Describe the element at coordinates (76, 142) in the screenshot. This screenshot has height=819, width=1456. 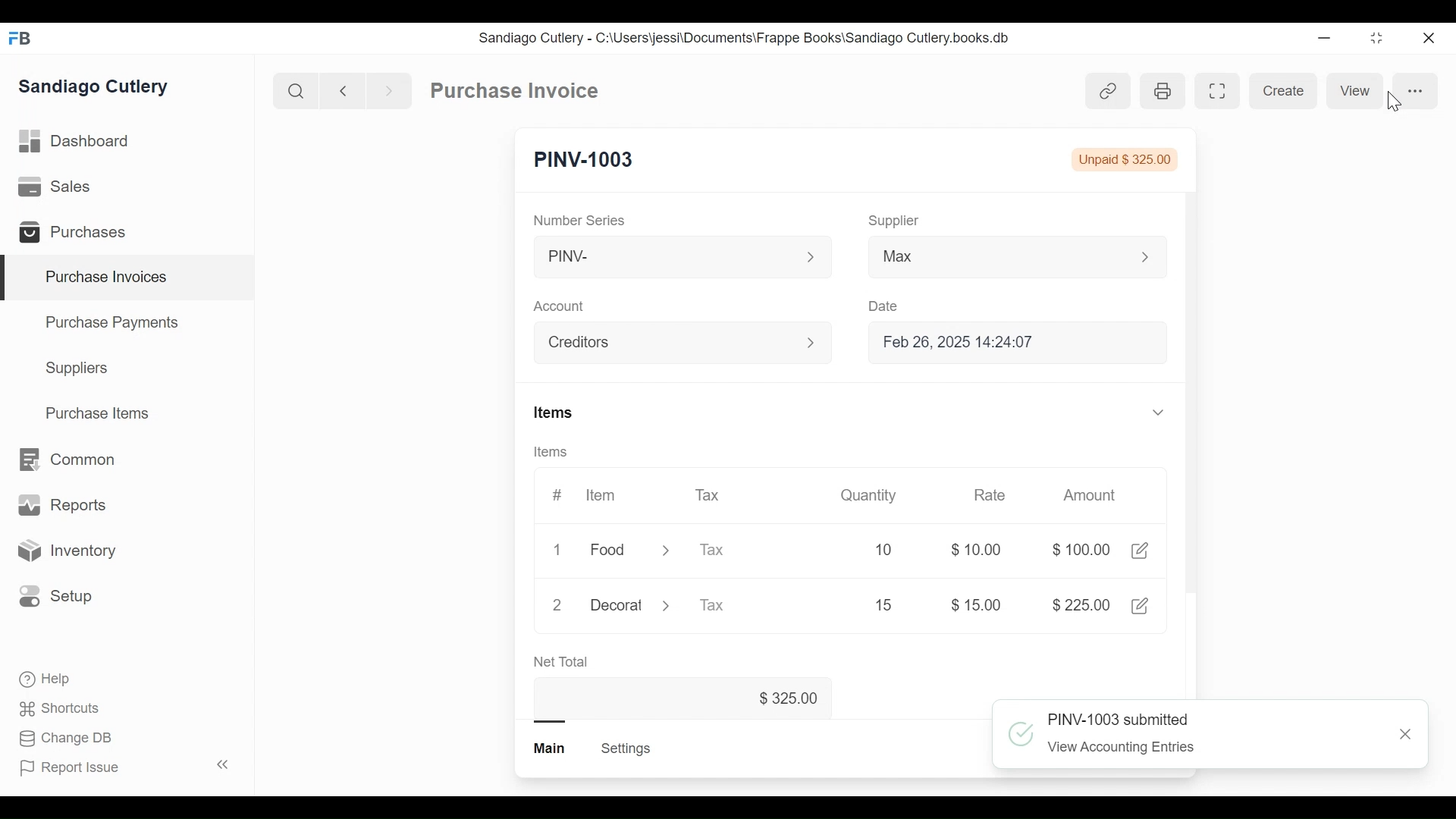
I see `Dashboard` at that location.